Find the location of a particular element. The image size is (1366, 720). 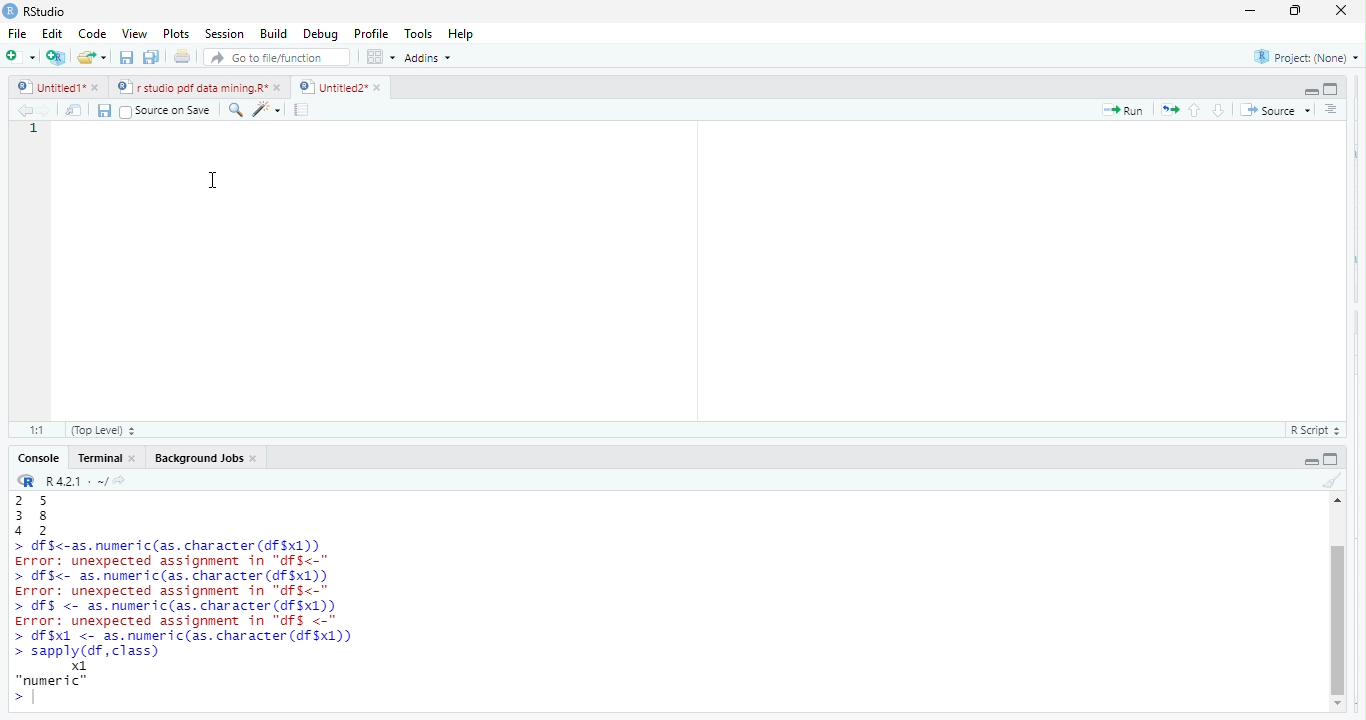

close is located at coordinates (381, 86).